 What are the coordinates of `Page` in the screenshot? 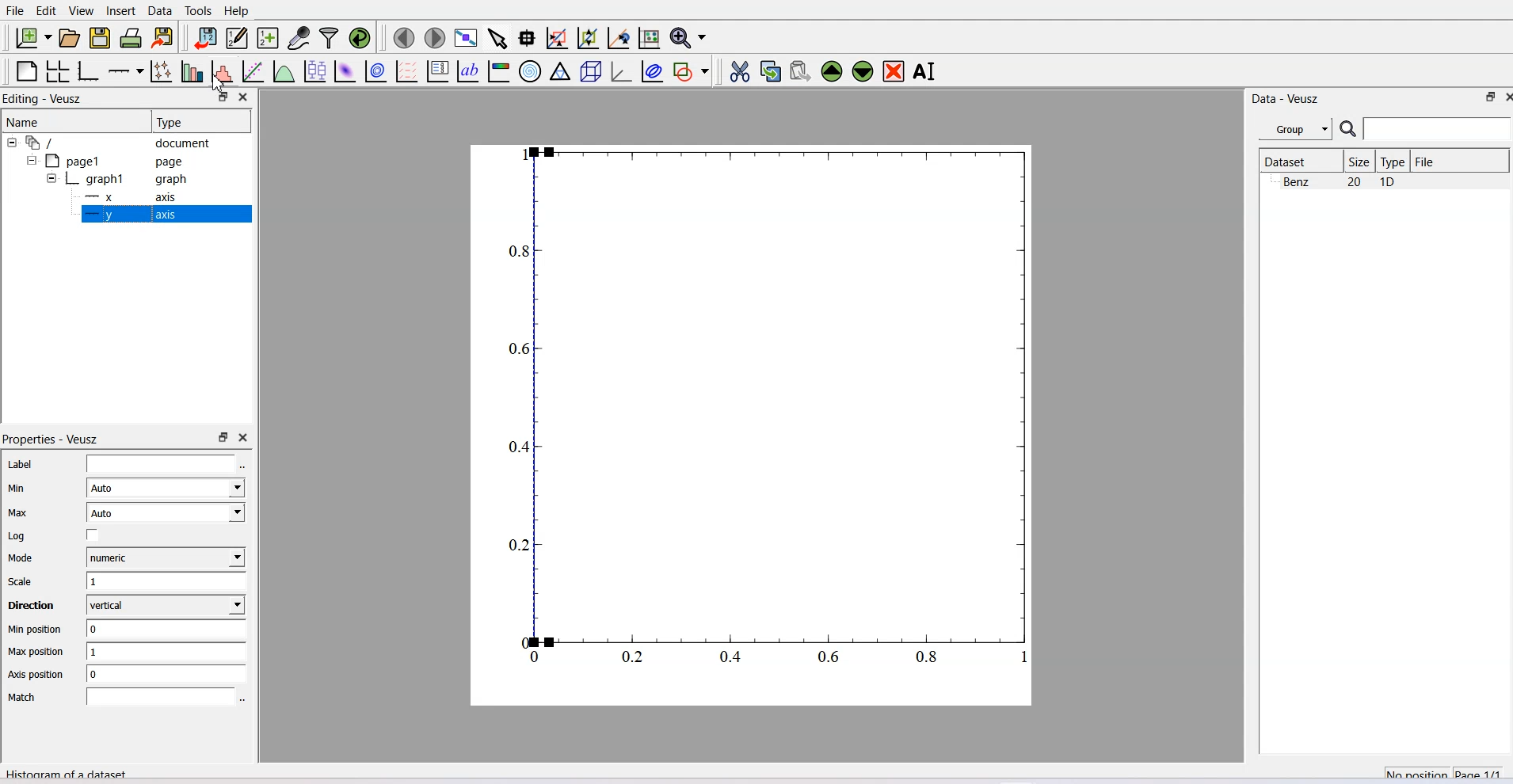 It's located at (120, 161).